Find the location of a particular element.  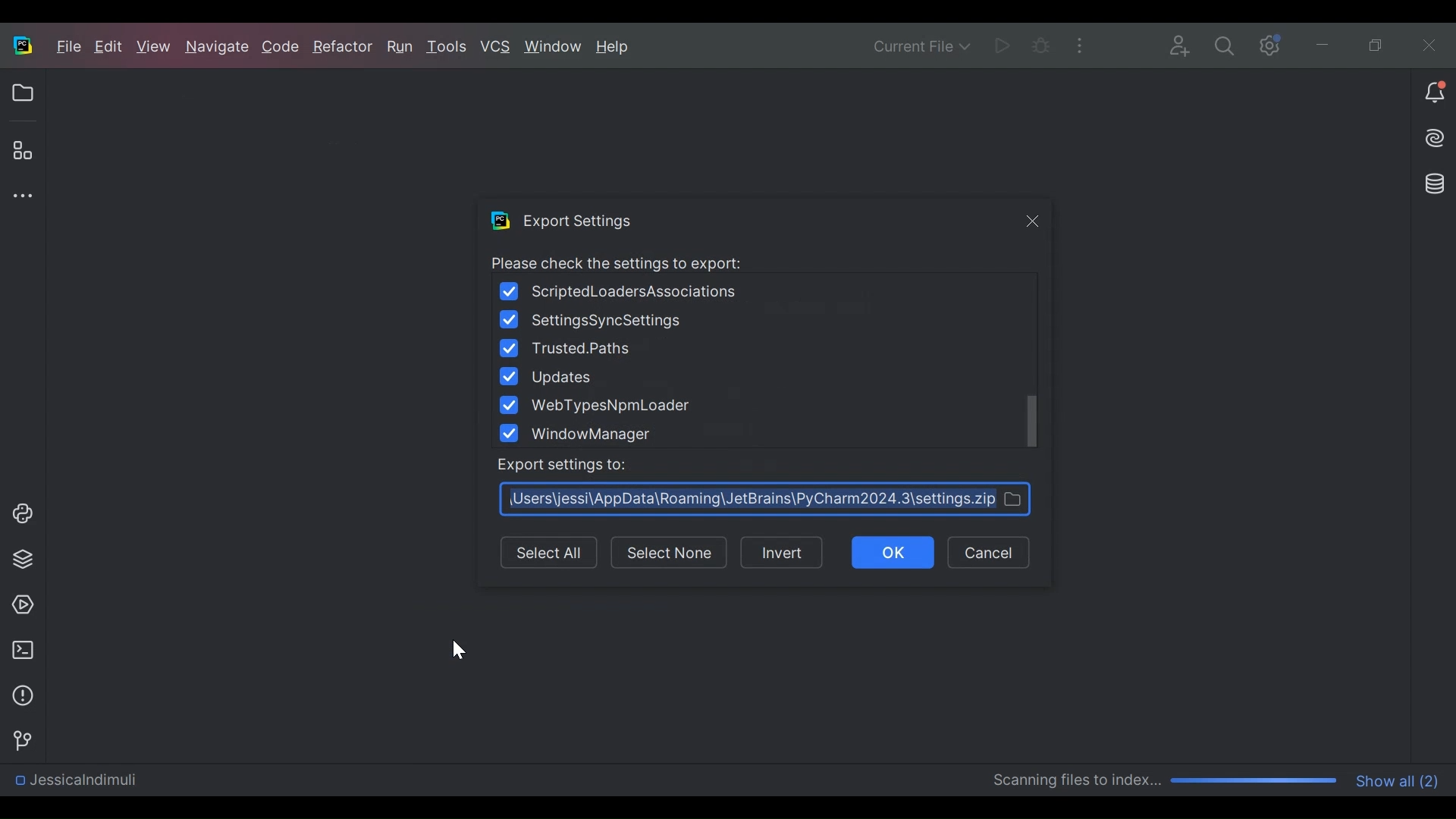

More is located at coordinates (1078, 43).